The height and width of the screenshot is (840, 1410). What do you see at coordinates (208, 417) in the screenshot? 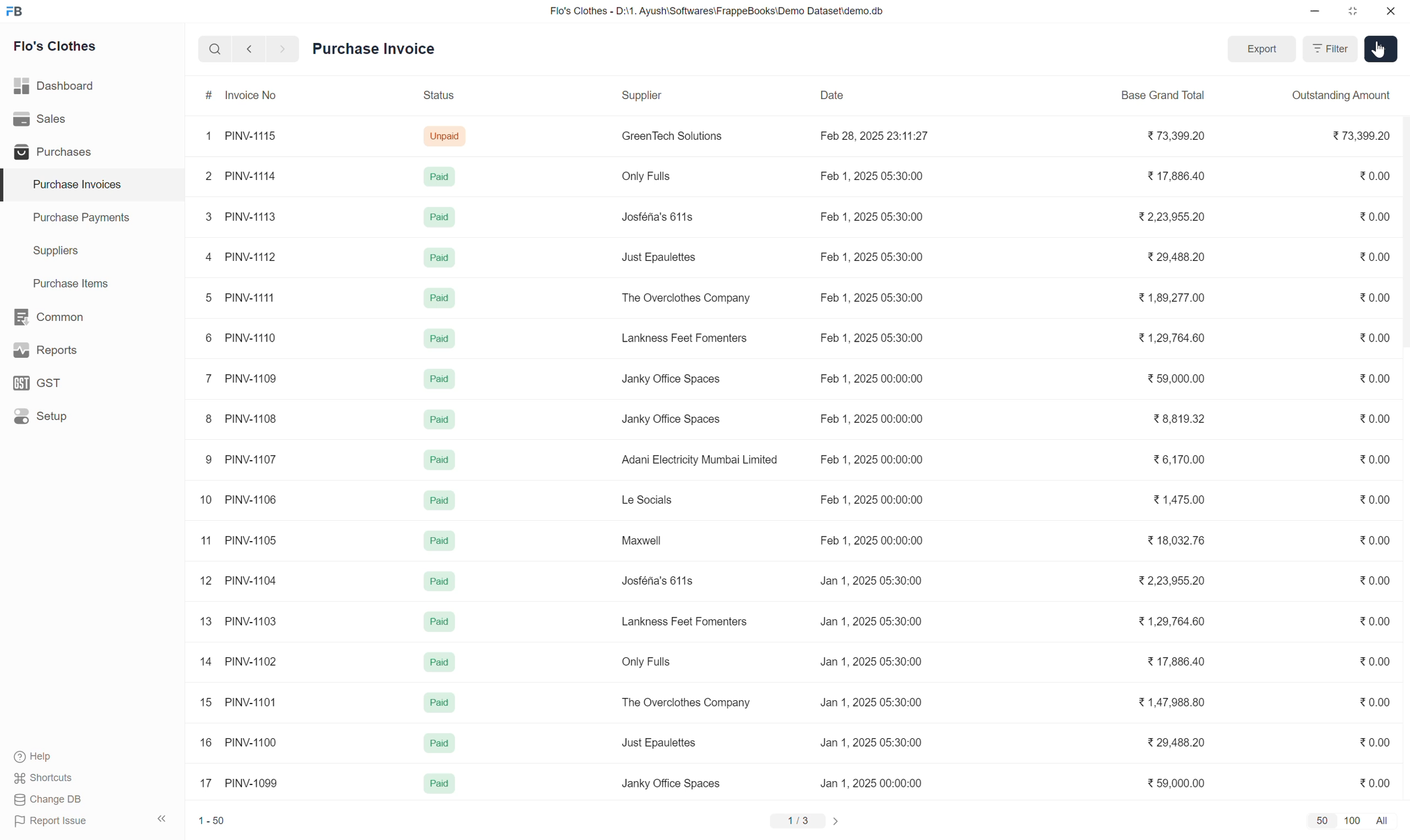
I see `8` at bounding box center [208, 417].